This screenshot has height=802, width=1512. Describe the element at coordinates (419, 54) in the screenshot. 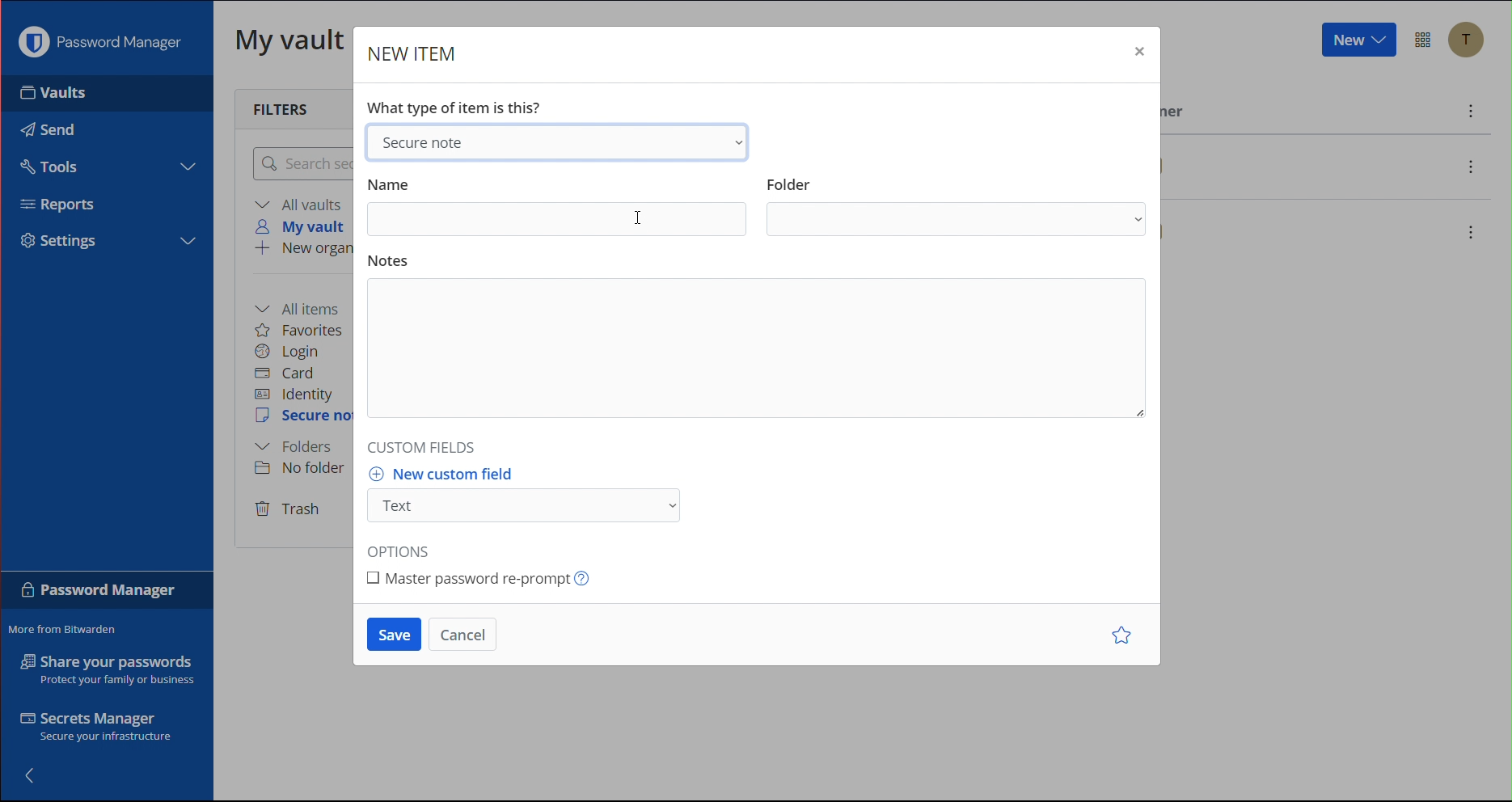

I see `New Item` at that location.